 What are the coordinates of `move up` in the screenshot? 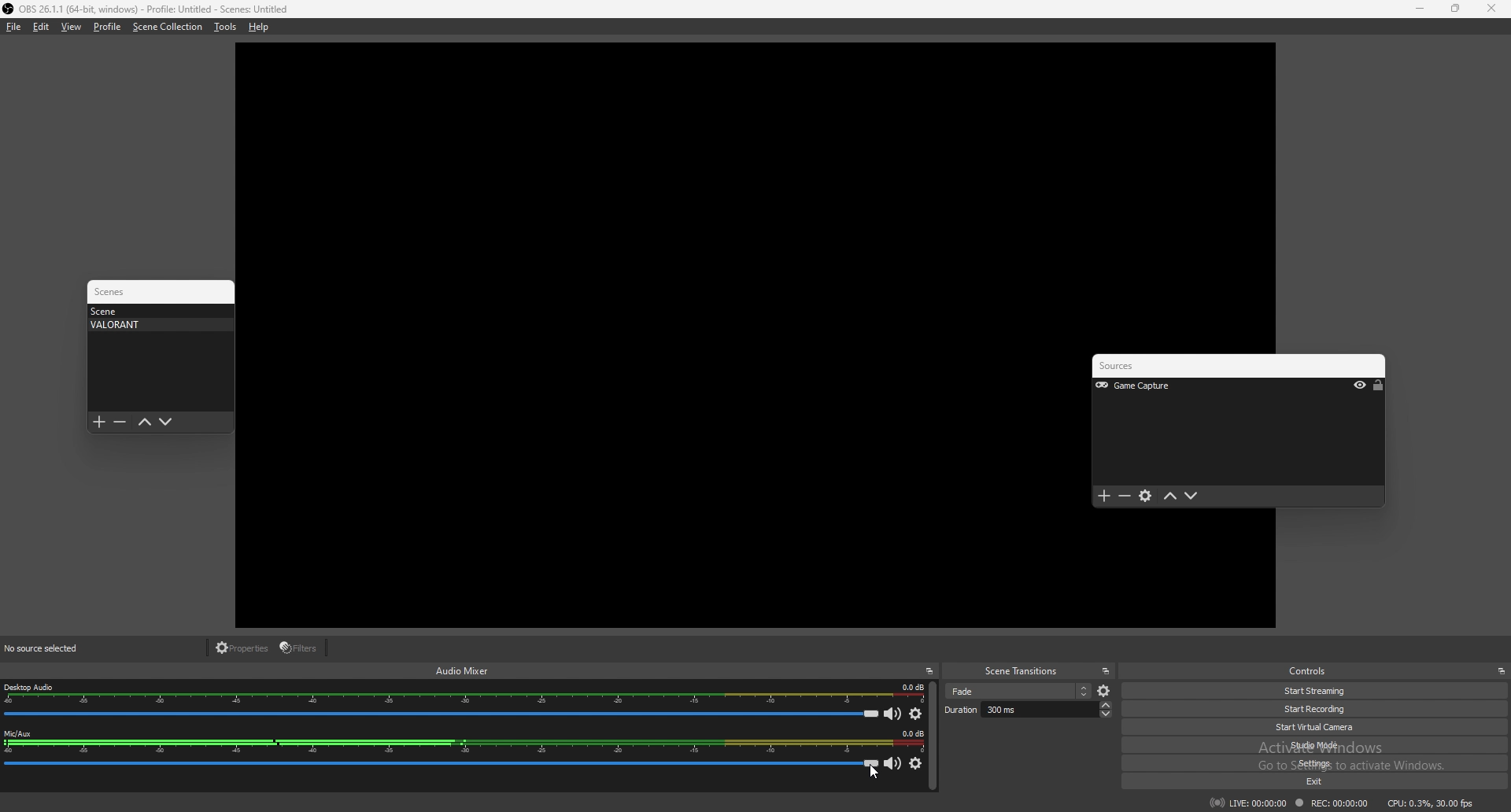 It's located at (1171, 496).